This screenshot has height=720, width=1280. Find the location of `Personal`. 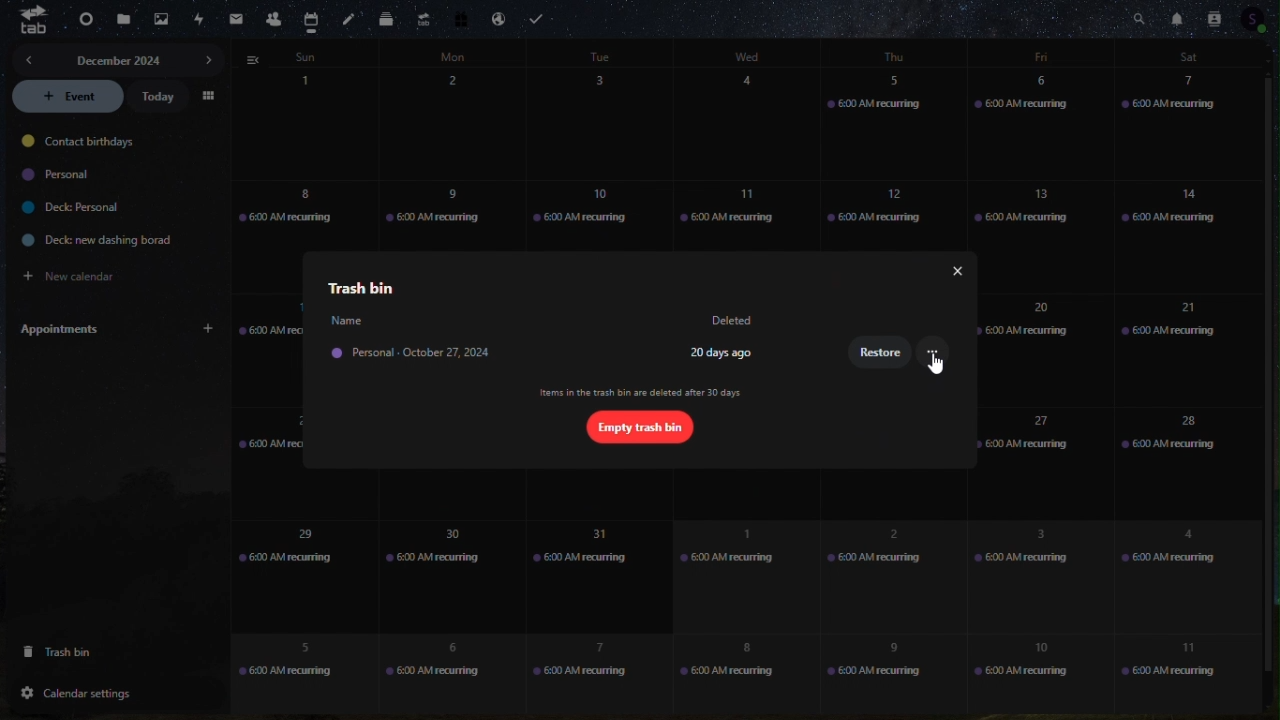

Personal is located at coordinates (424, 356).